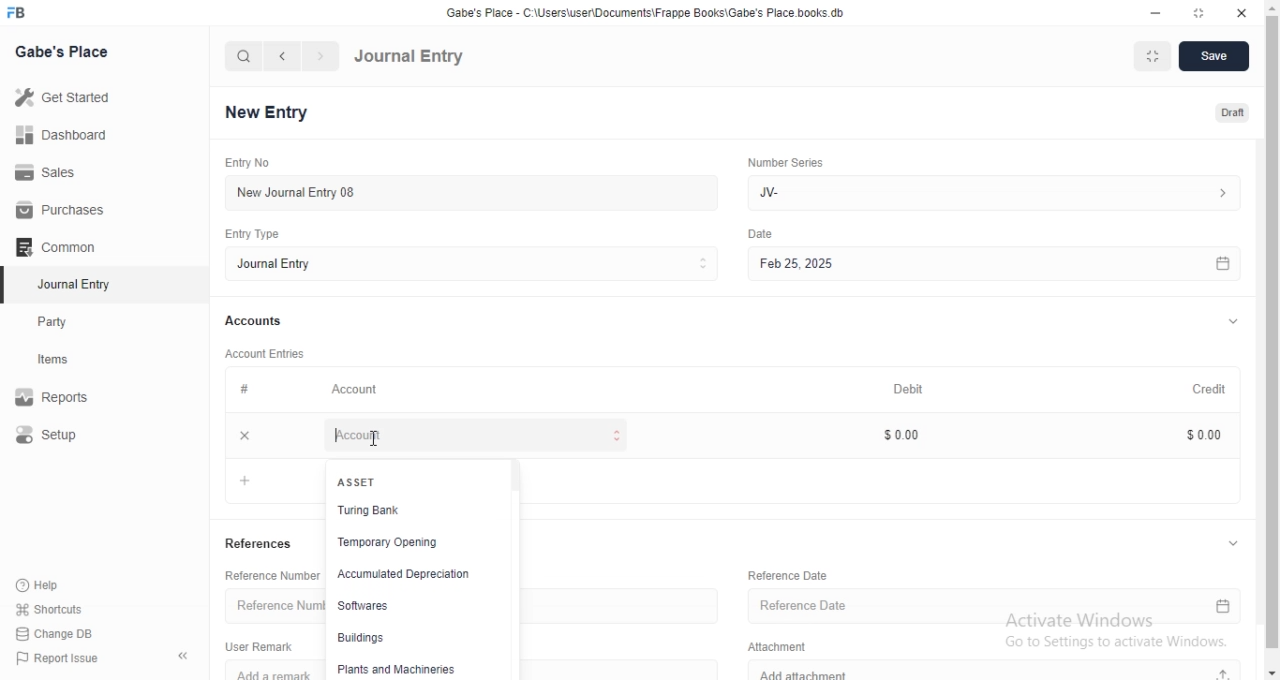  What do you see at coordinates (410, 609) in the screenshot?
I see `Softwares` at bounding box center [410, 609].